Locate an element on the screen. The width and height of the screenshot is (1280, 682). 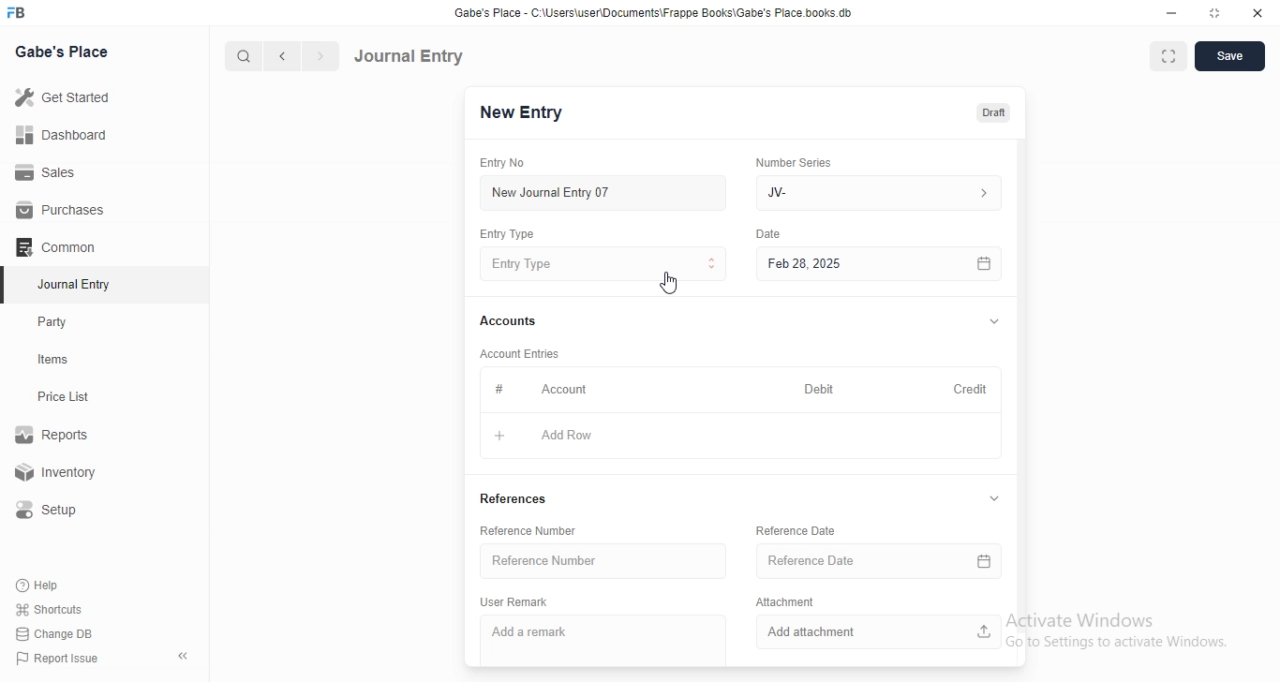
backward is located at coordinates (281, 56).